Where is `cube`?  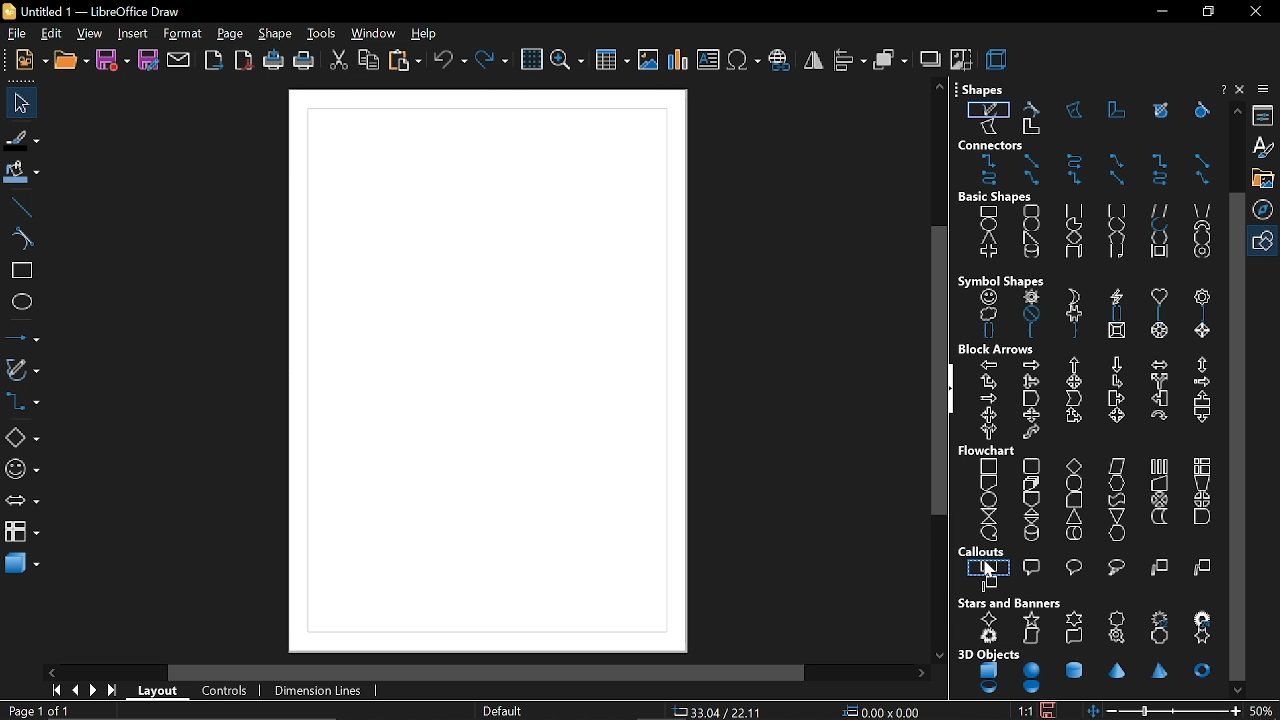
cube is located at coordinates (990, 671).